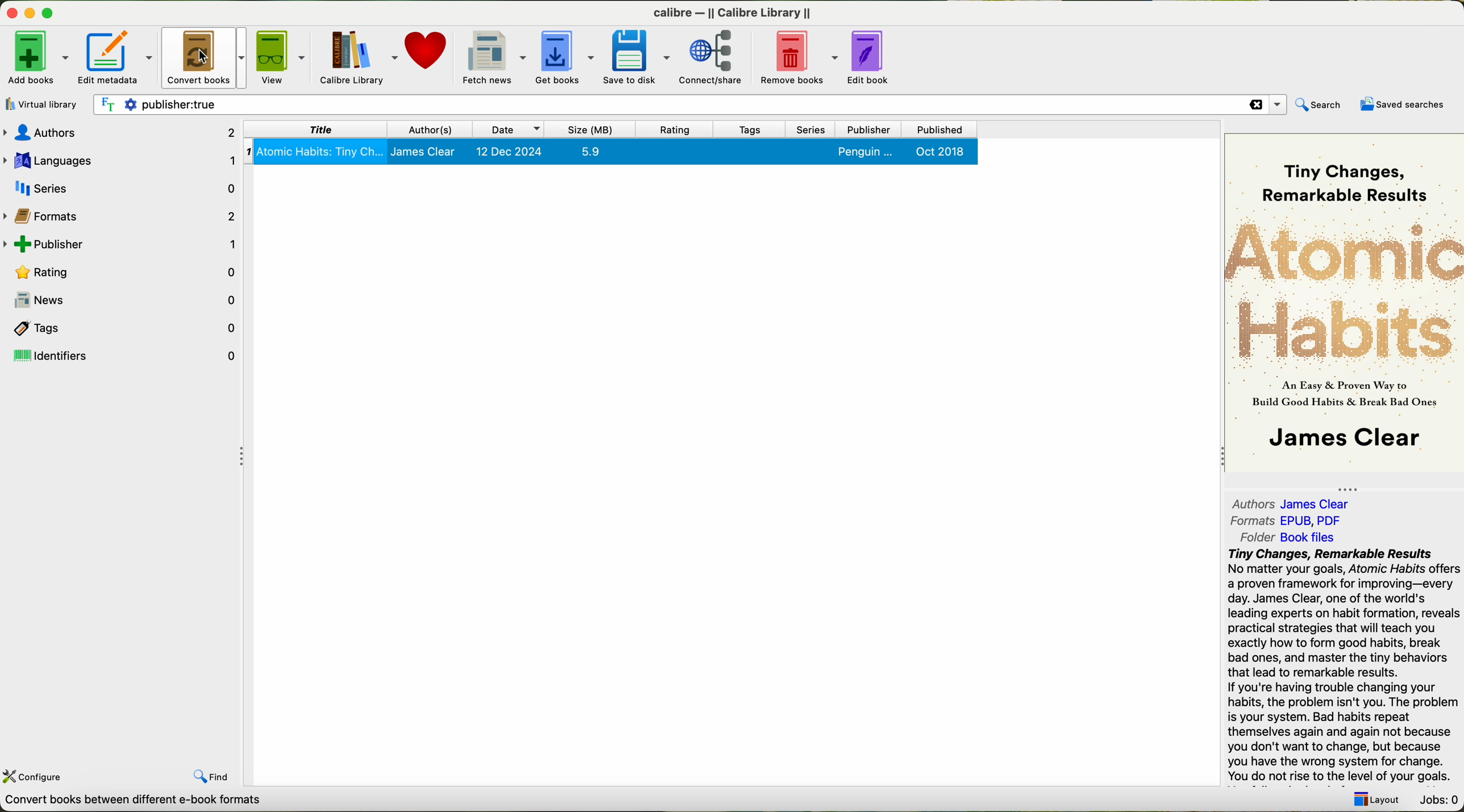  I want to click on series, so click(810, 130).